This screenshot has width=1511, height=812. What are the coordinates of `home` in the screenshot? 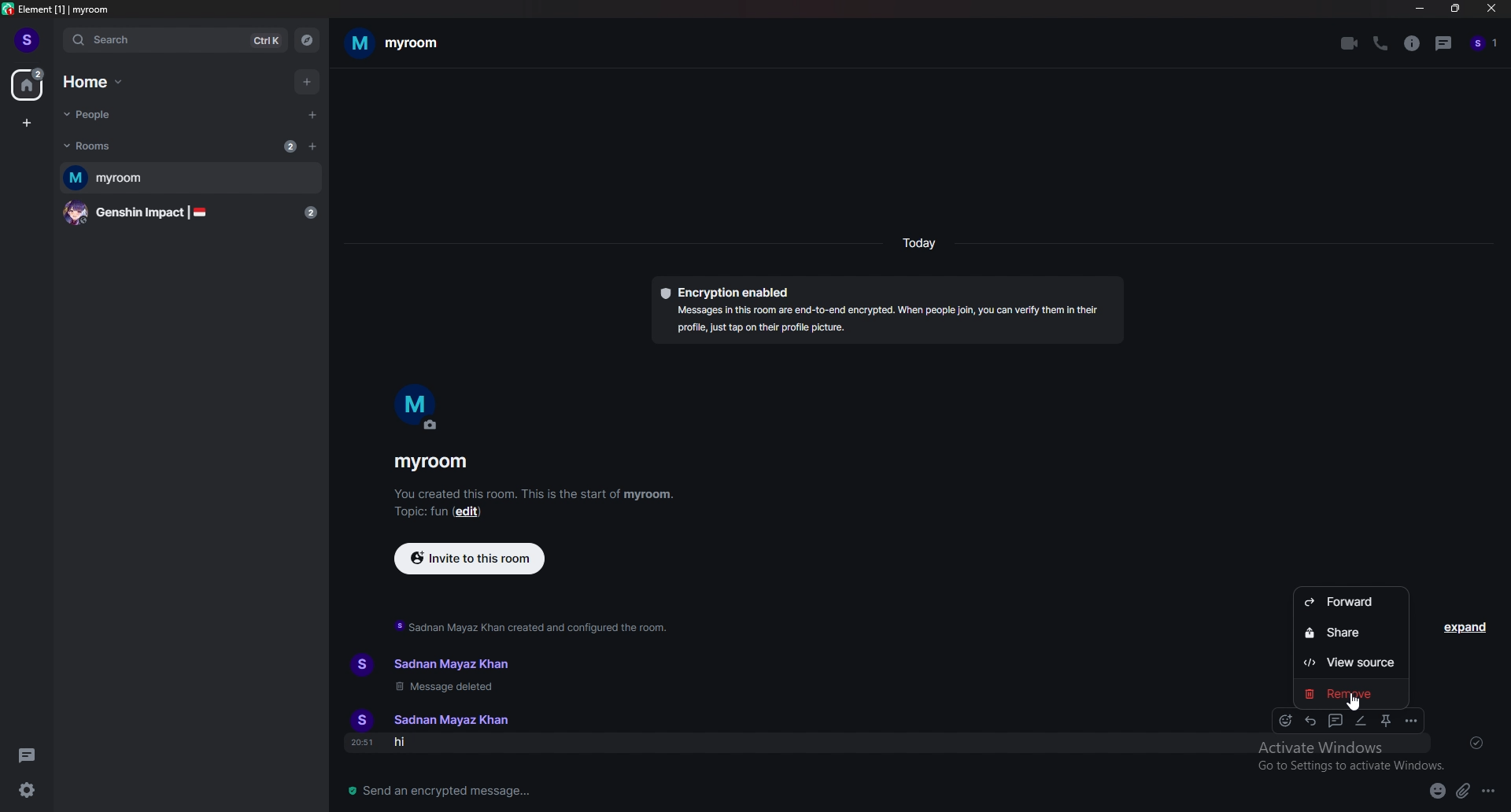 It's located at (29, 84).